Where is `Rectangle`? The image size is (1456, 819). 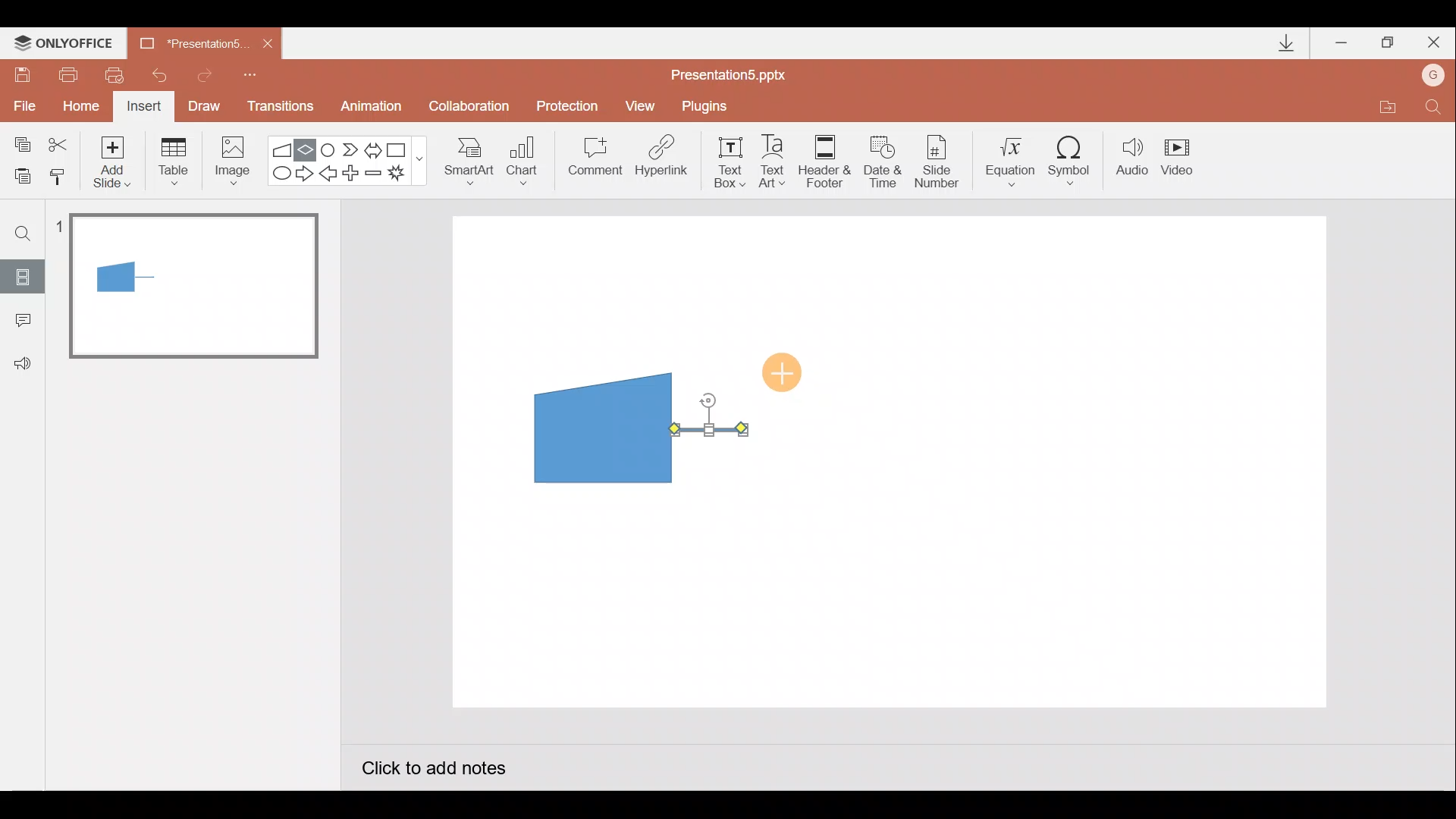 Rectangle is located at coordinates (400, 149).